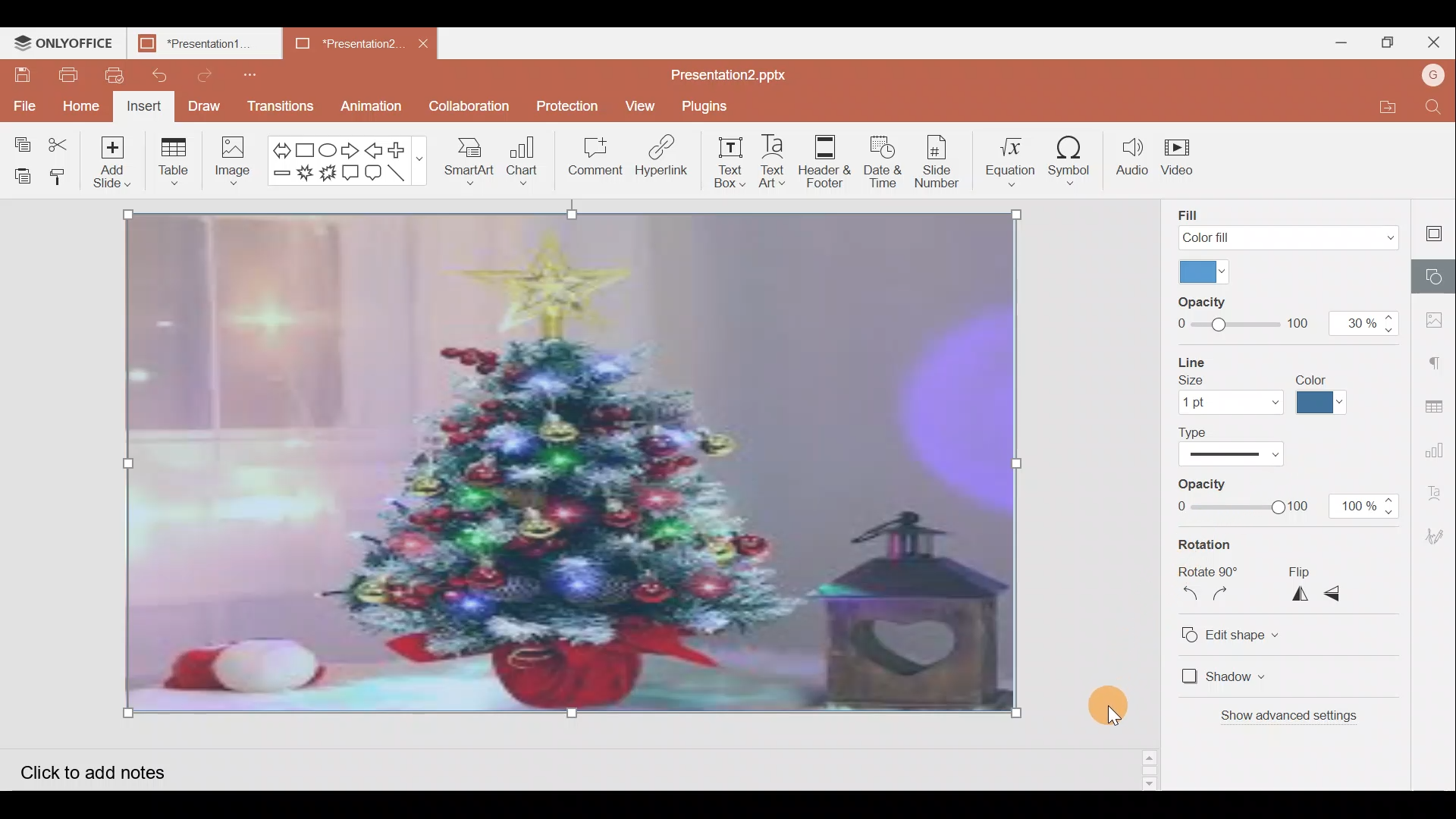 The image size is (1456, 819). I want to click on Shadow, so click(1224, 677).